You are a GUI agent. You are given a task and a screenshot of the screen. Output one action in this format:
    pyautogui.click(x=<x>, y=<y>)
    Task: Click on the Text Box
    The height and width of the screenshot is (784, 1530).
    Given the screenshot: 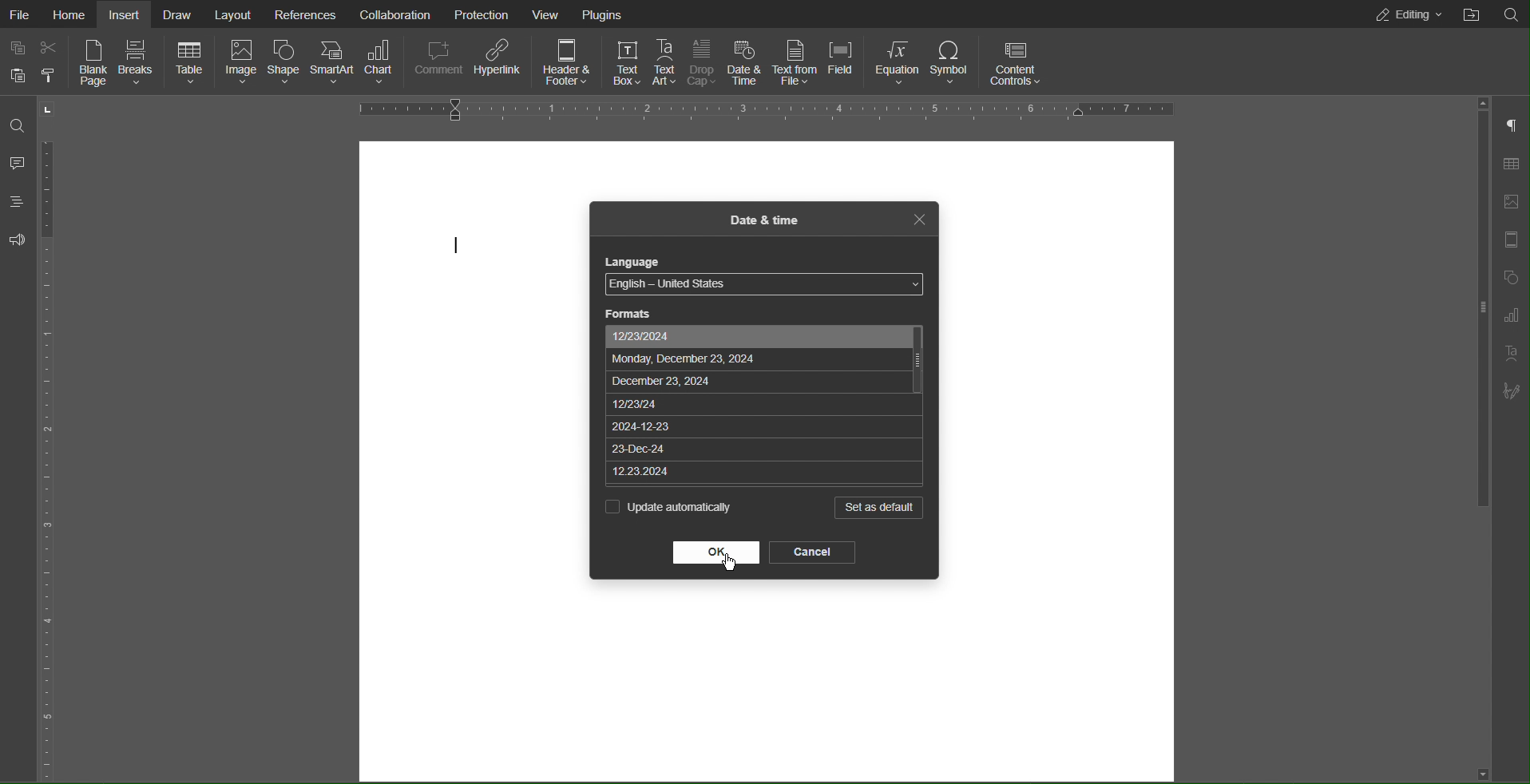 What is the action you would take?
    pyautogui.click(x=624, y=60)
    